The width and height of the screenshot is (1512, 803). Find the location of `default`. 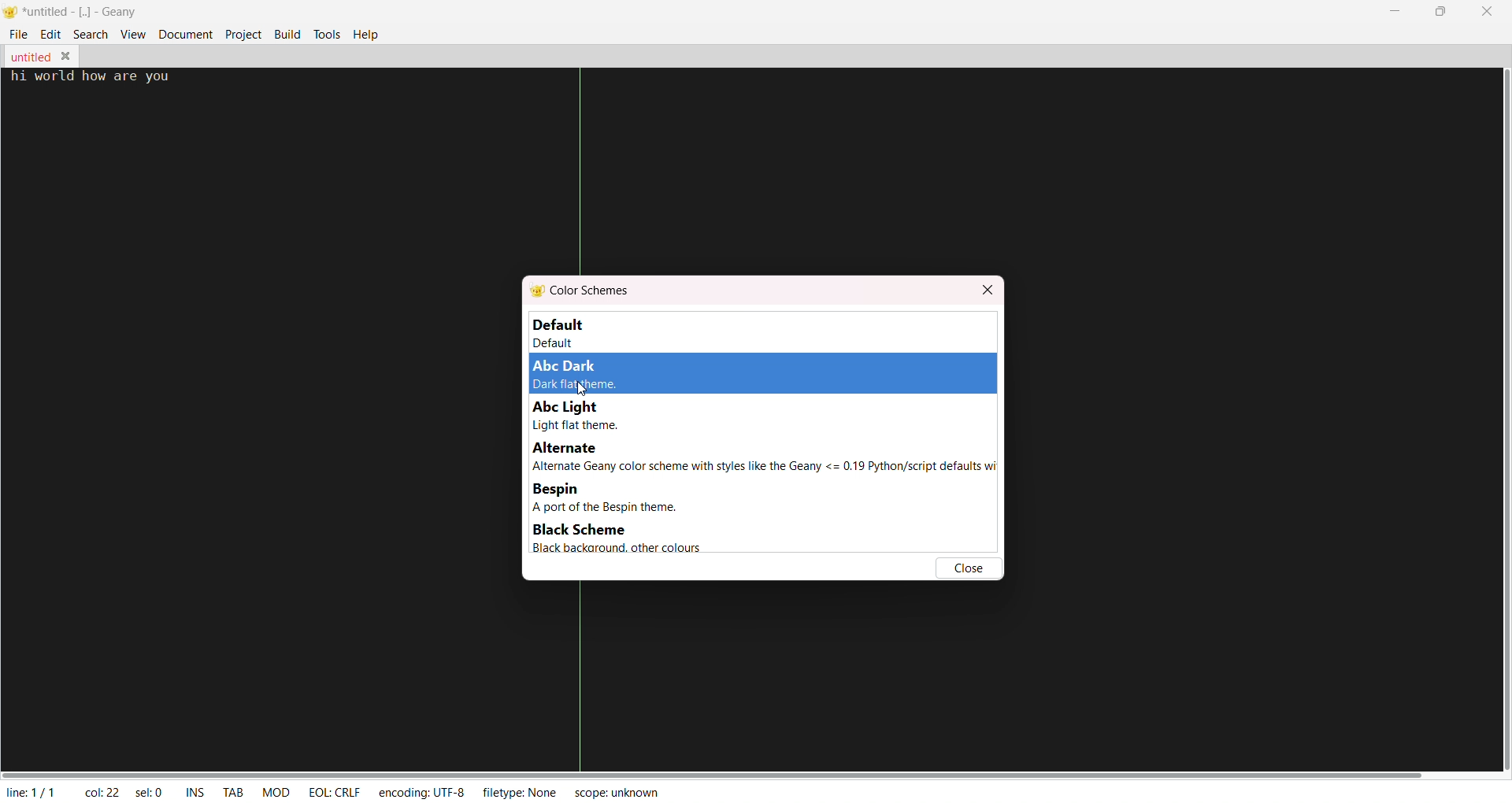

default is located at coordinates (578, 333).